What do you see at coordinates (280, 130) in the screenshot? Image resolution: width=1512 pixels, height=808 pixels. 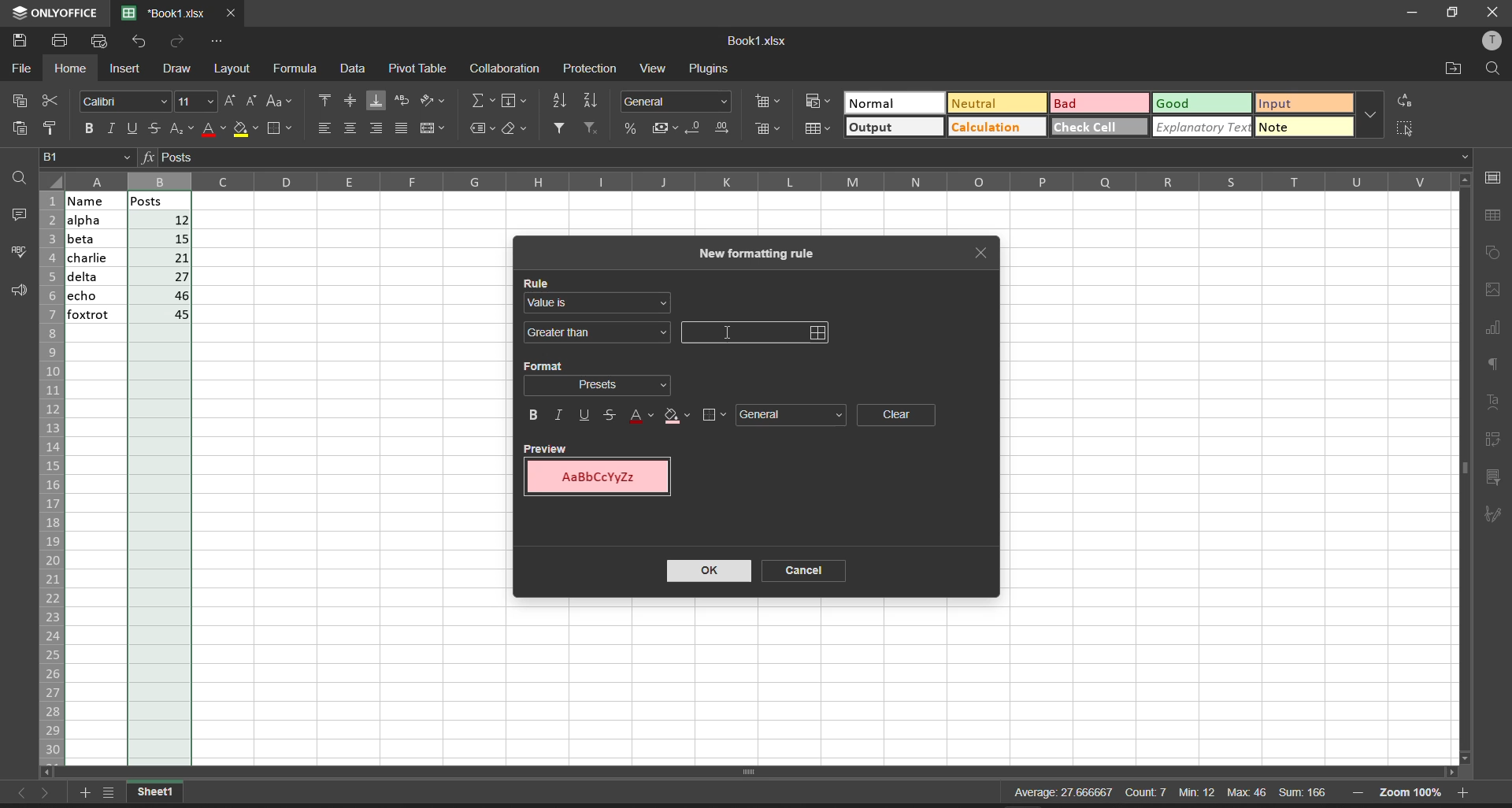 I see `borders` at bounding box center [280, 130].